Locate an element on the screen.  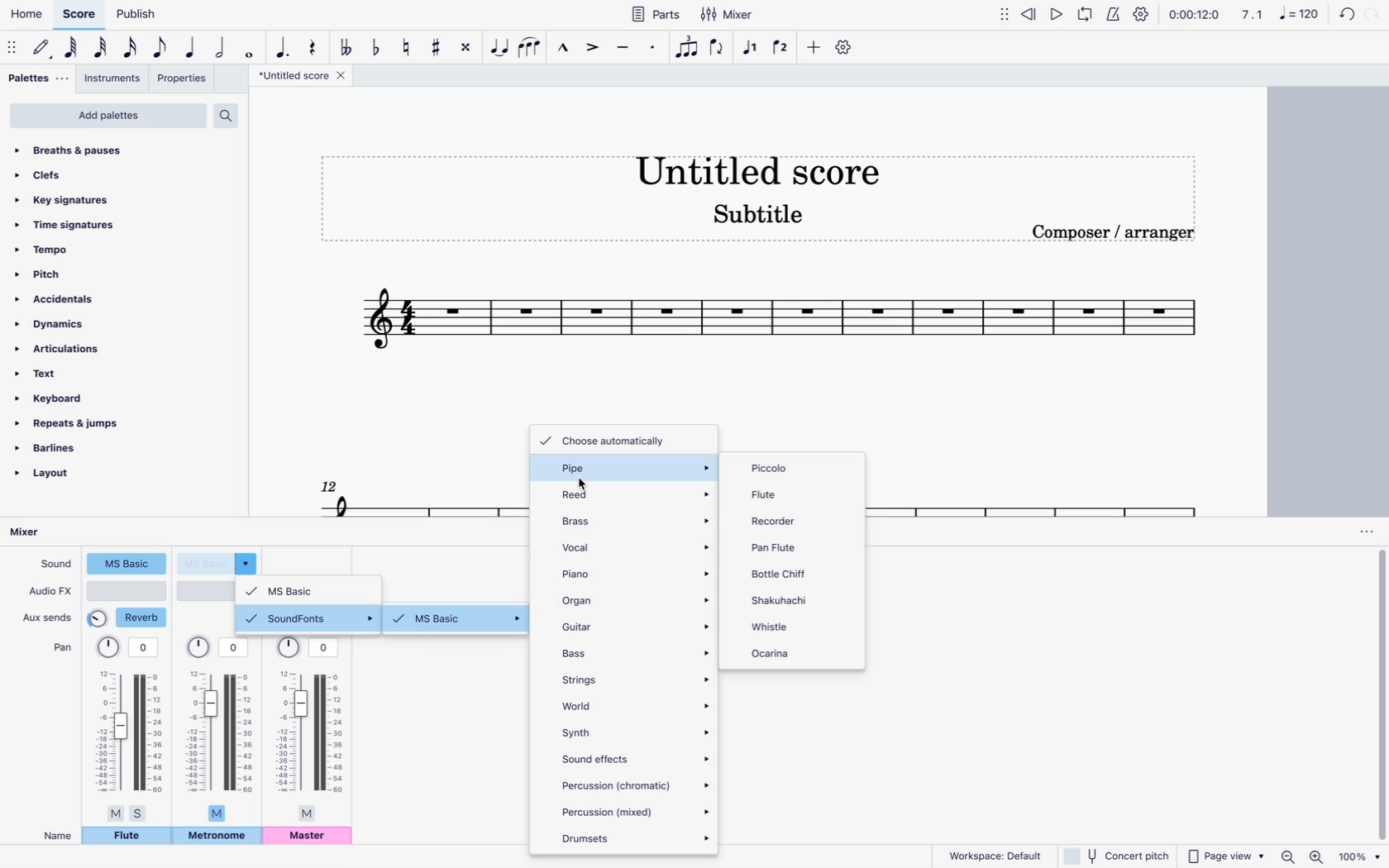
pan is located at coordinates (312, 729).